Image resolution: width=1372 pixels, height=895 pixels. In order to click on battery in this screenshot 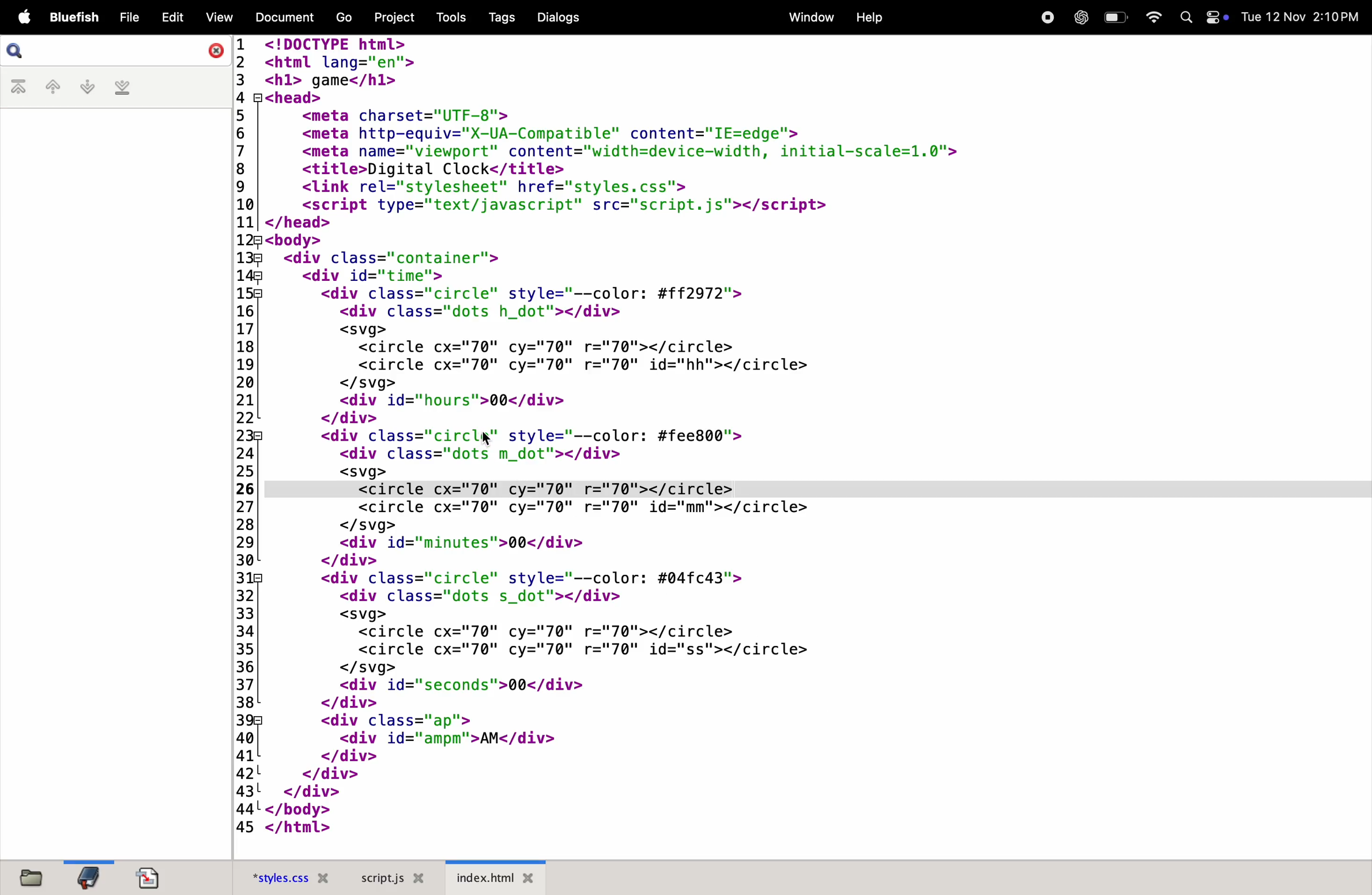, I will do `click(1114, 18)`.